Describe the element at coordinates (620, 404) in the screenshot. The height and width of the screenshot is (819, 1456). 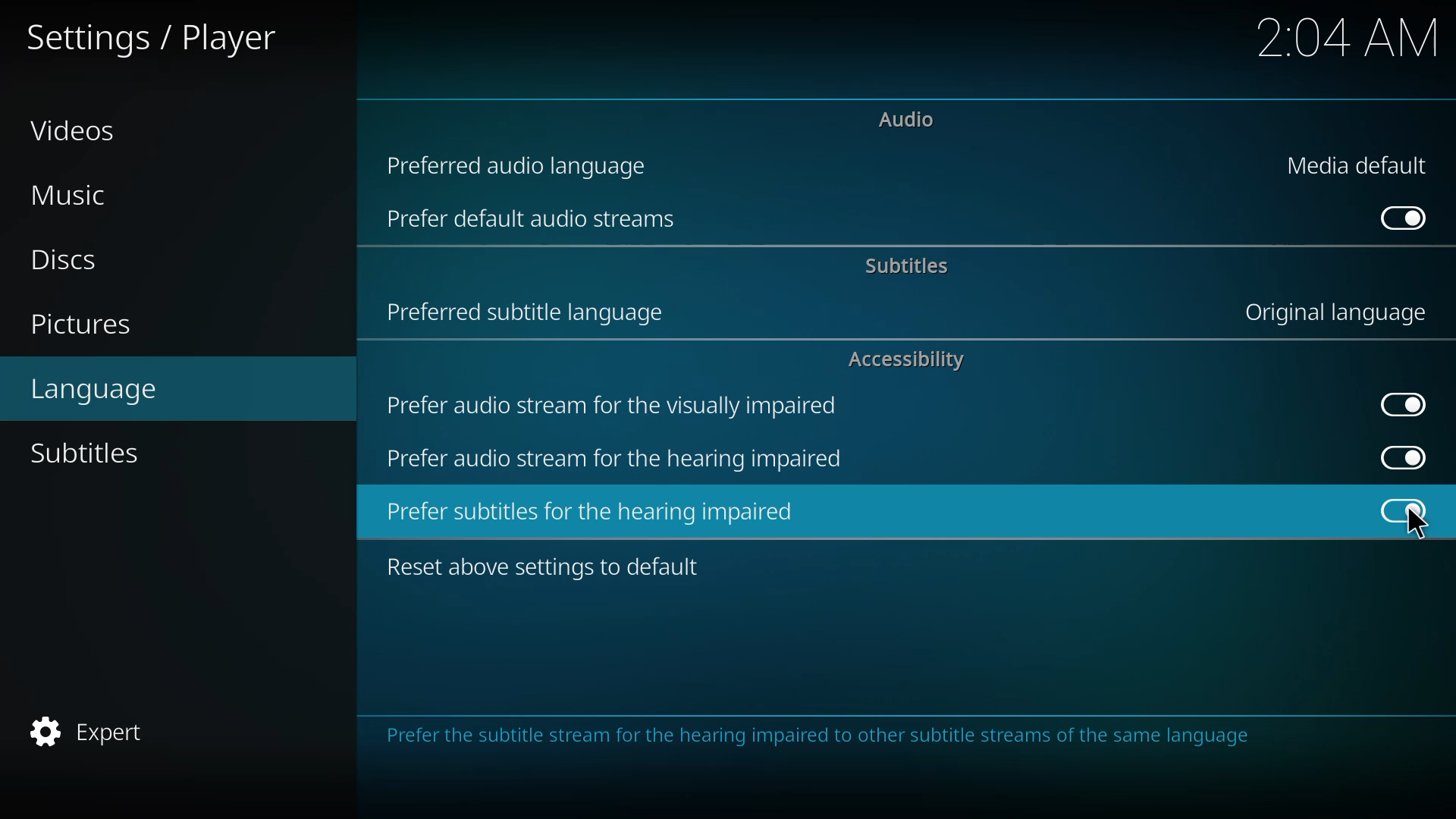
I see `prefer audio stream for visually impaired` at that location.